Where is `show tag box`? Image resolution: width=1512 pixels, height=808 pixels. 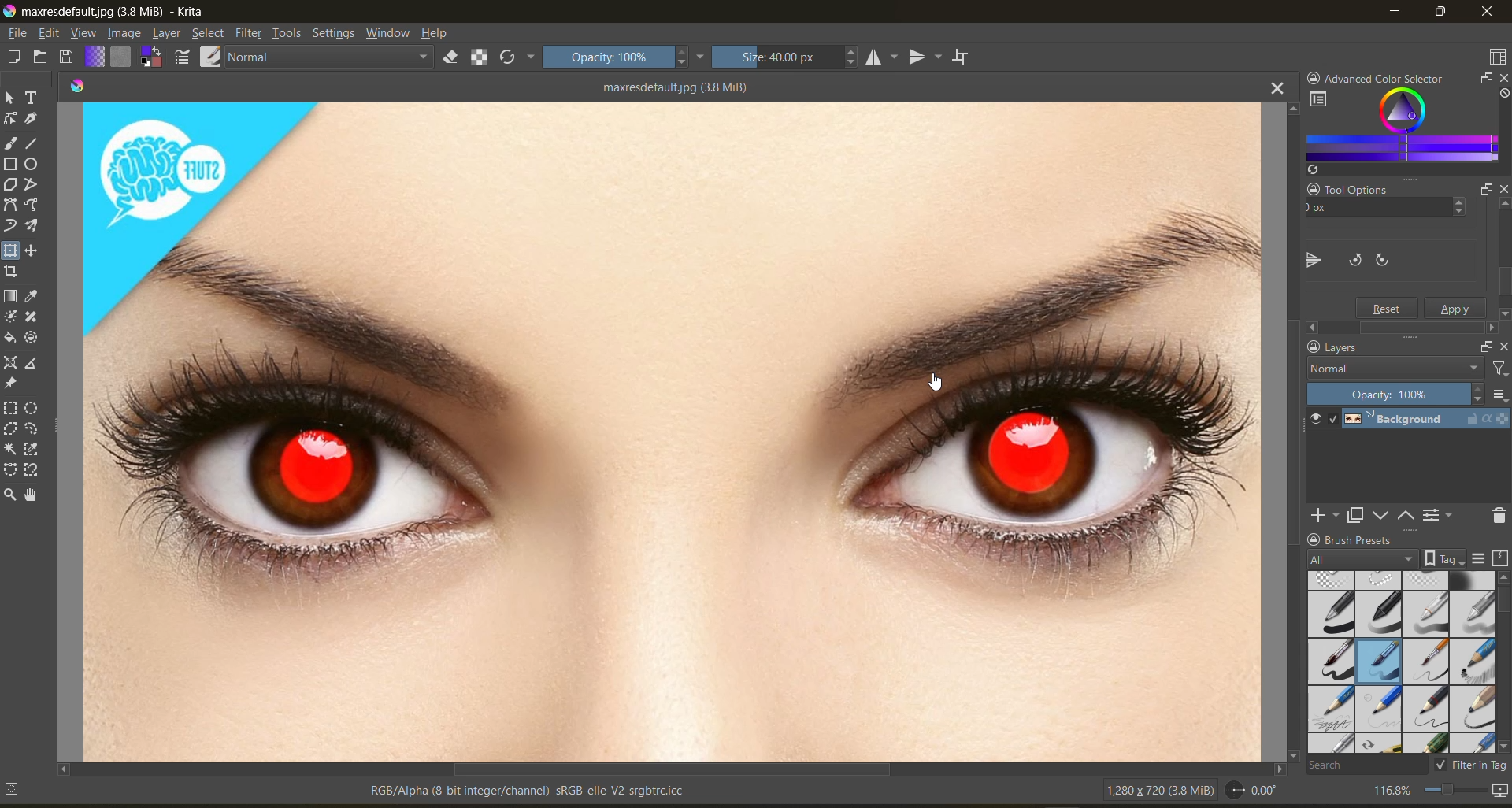
show tag box is located at coordinates (1445, 558).